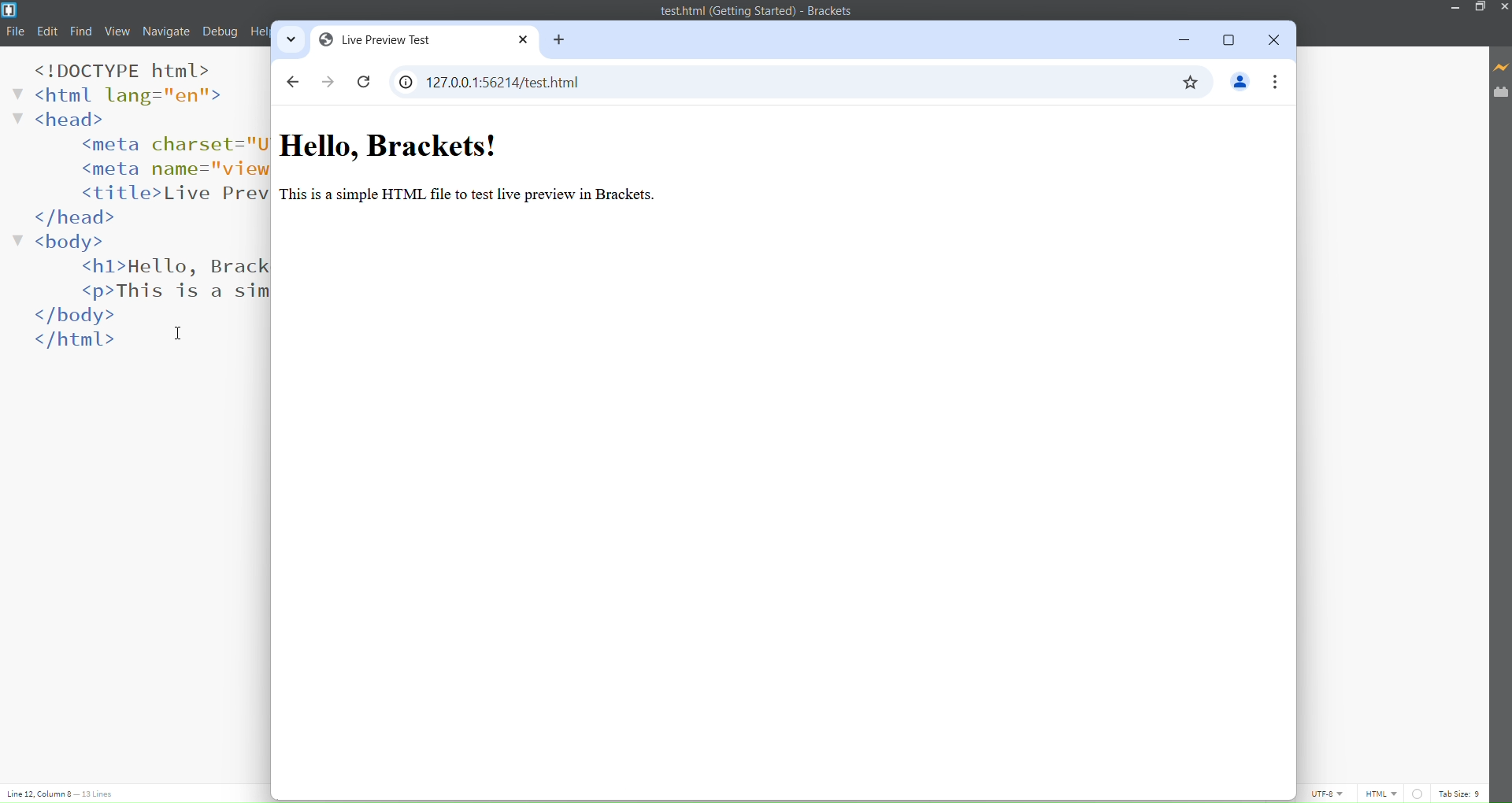 This screenshot has width=1512, height=803. I want to click on New Tab, so click(562, 41).